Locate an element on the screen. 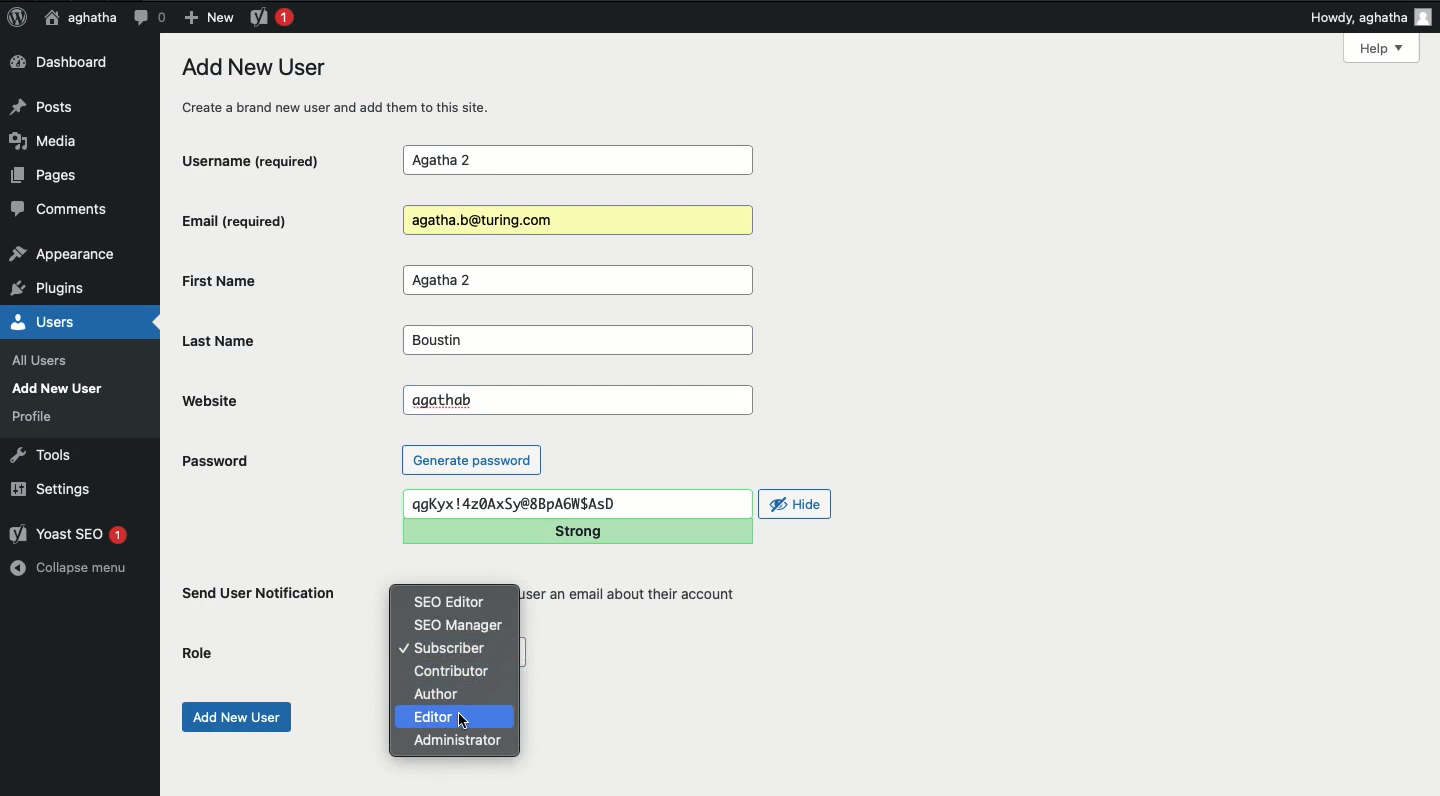  Strong is located at coordinates (580, 530).